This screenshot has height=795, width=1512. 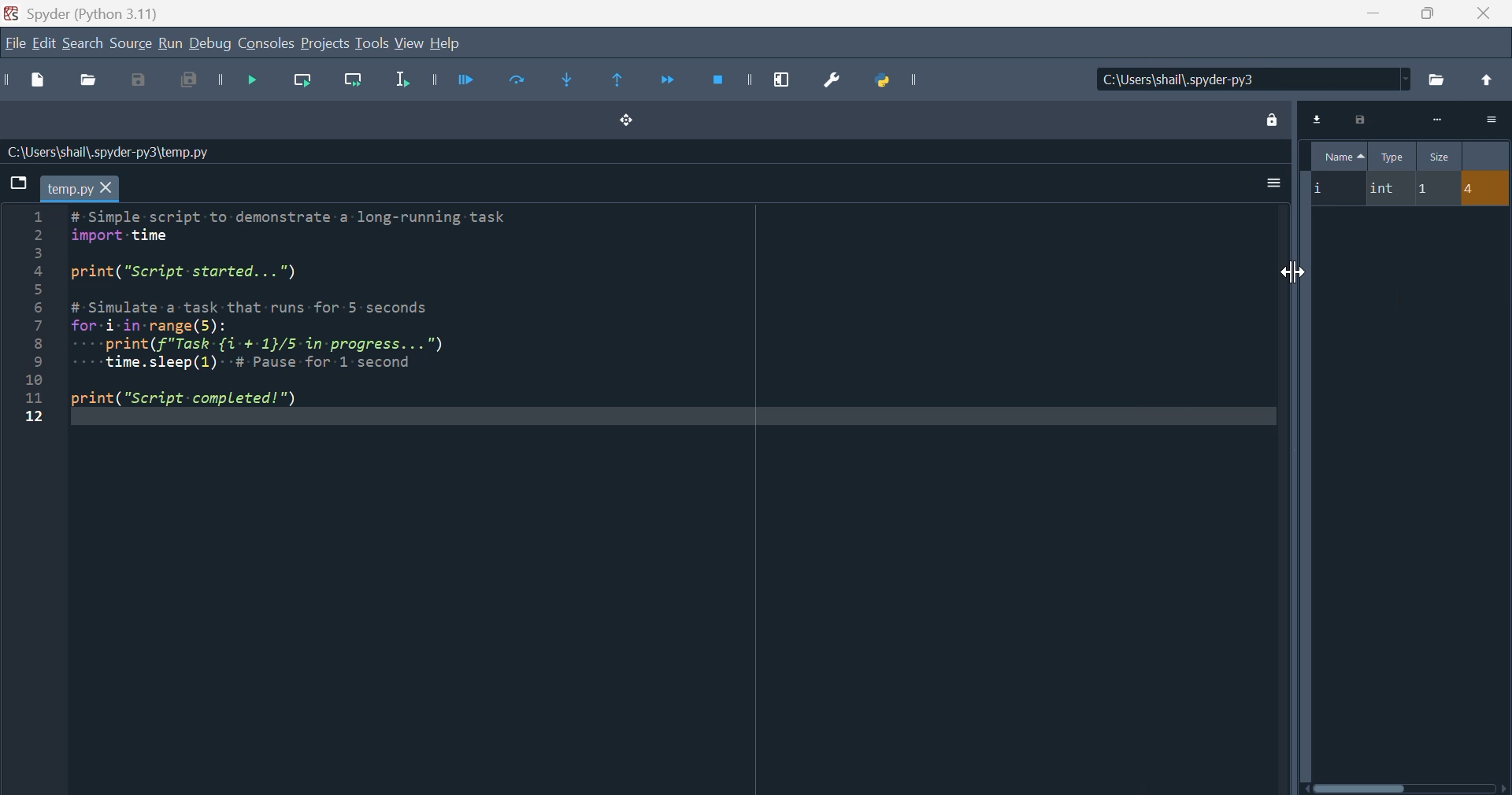 I want to click on Projects, so click(x=325, y=44).